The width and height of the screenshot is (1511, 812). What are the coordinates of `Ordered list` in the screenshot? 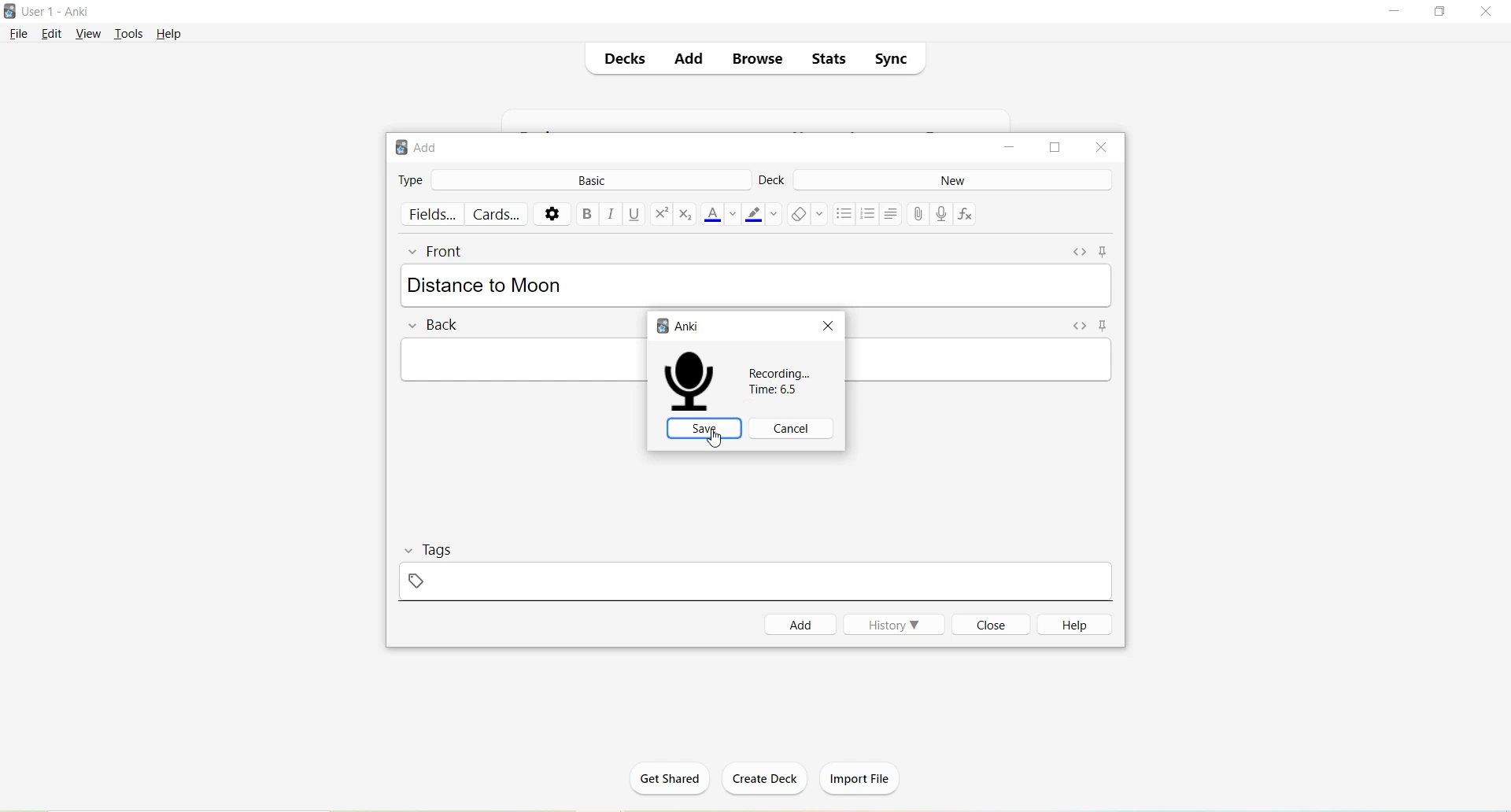 It's located at (868, 215).